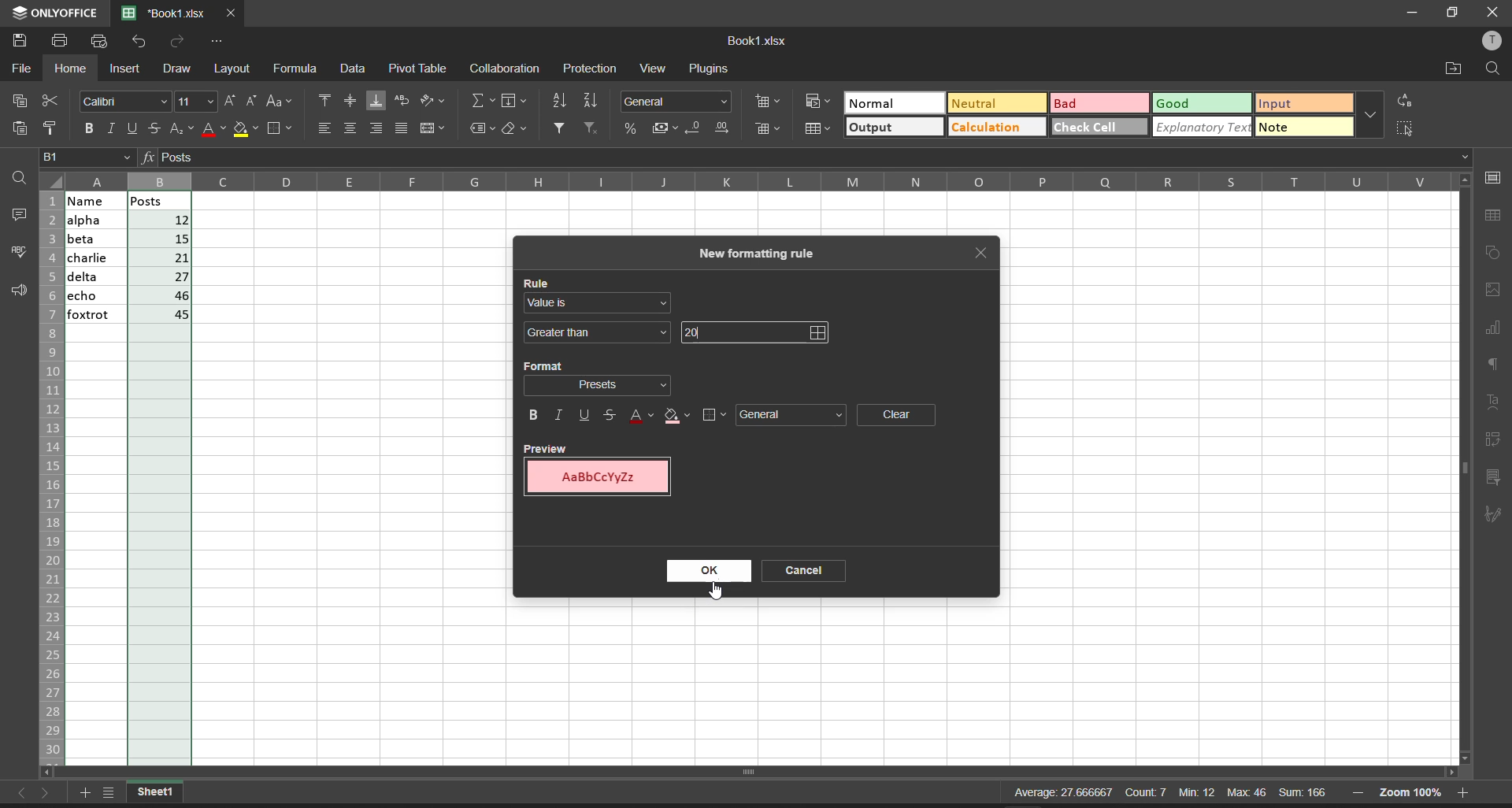  What do you see at coordinates (818, 159) in the screenshot?
I see `formula bar` at bounding box center [818, 159].